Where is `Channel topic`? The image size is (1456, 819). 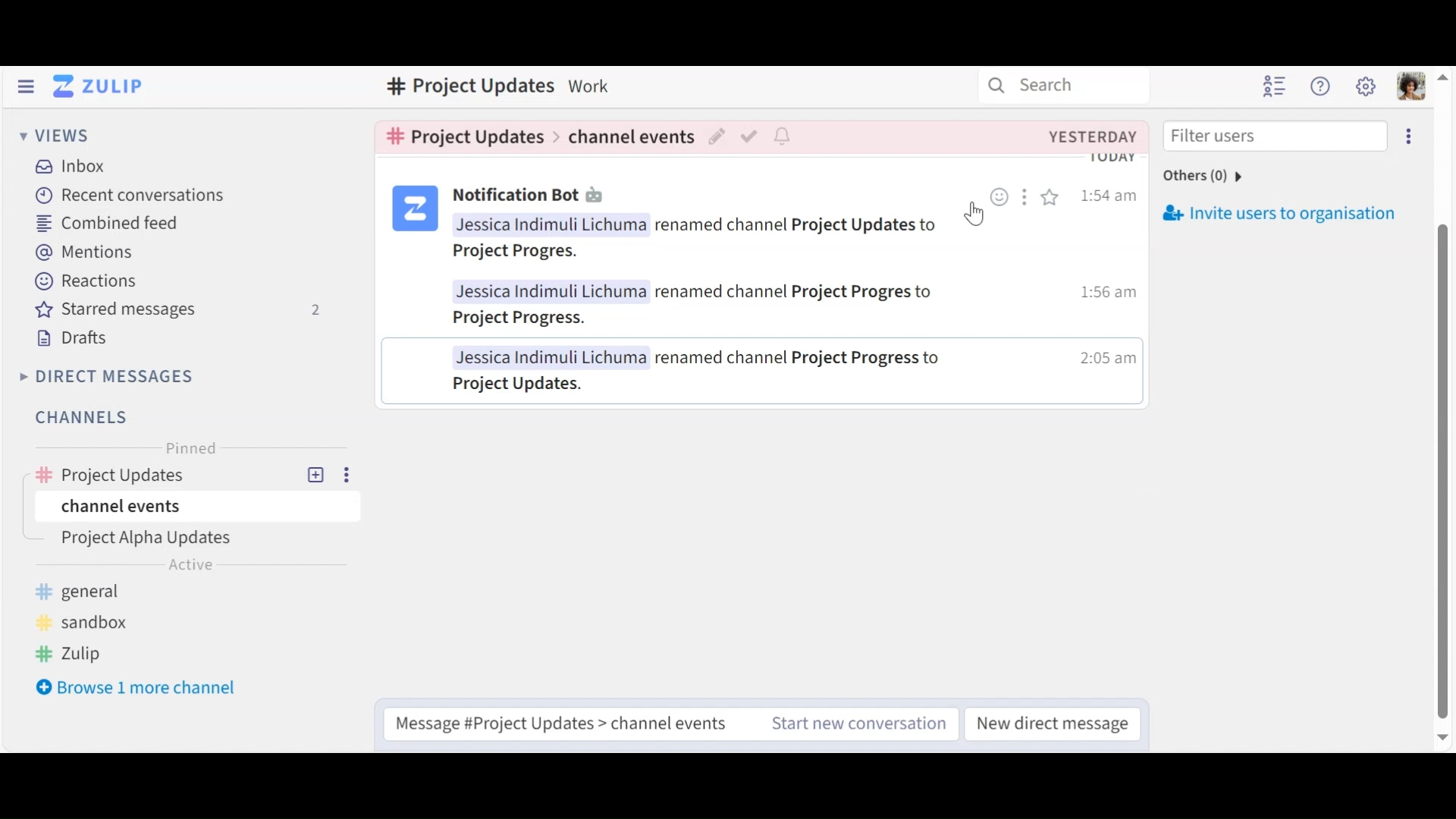
Channel topic is located at coordinates (463, 87).